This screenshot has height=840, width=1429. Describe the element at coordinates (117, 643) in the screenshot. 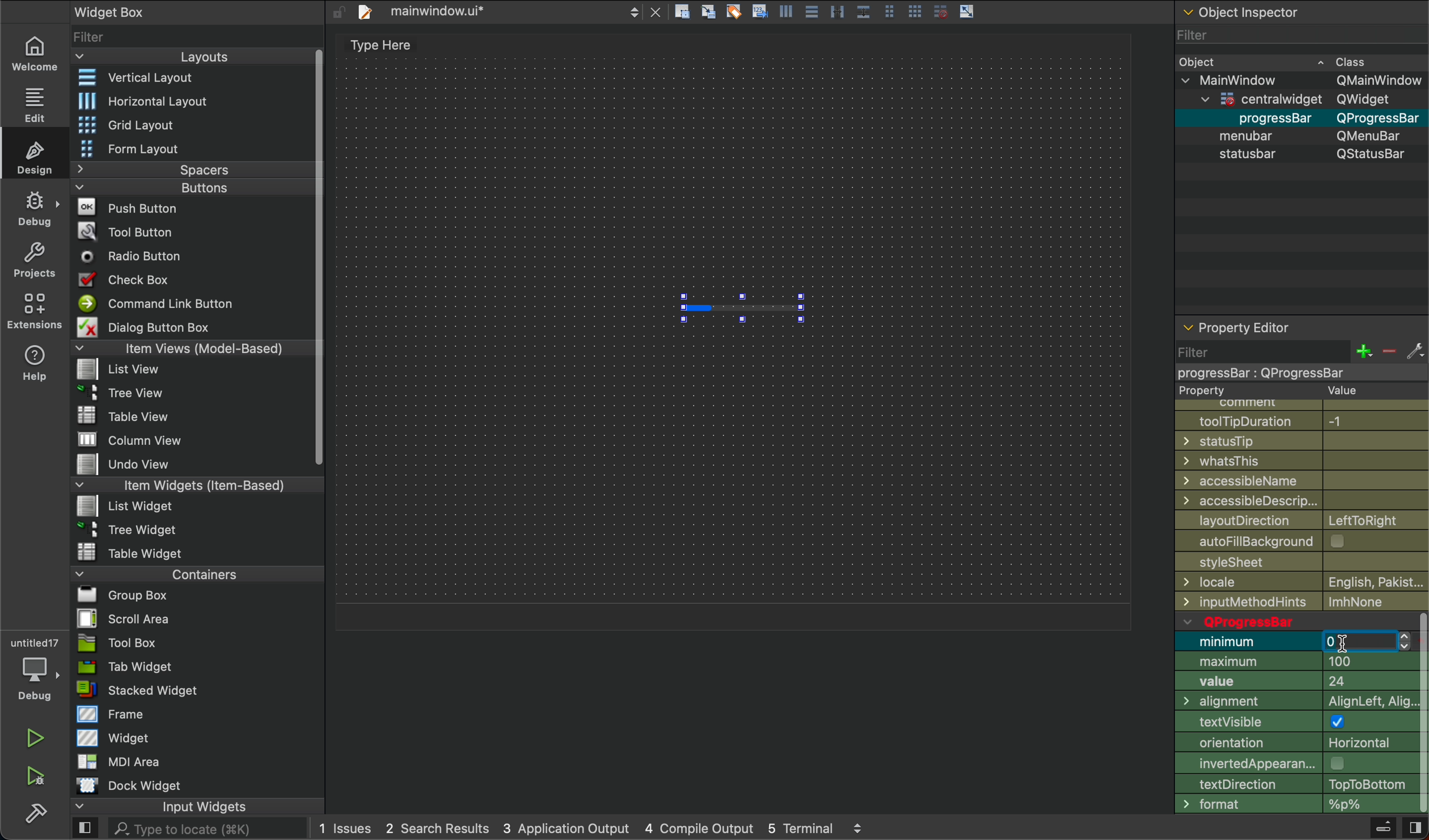

I see `Tool Box` at that location.